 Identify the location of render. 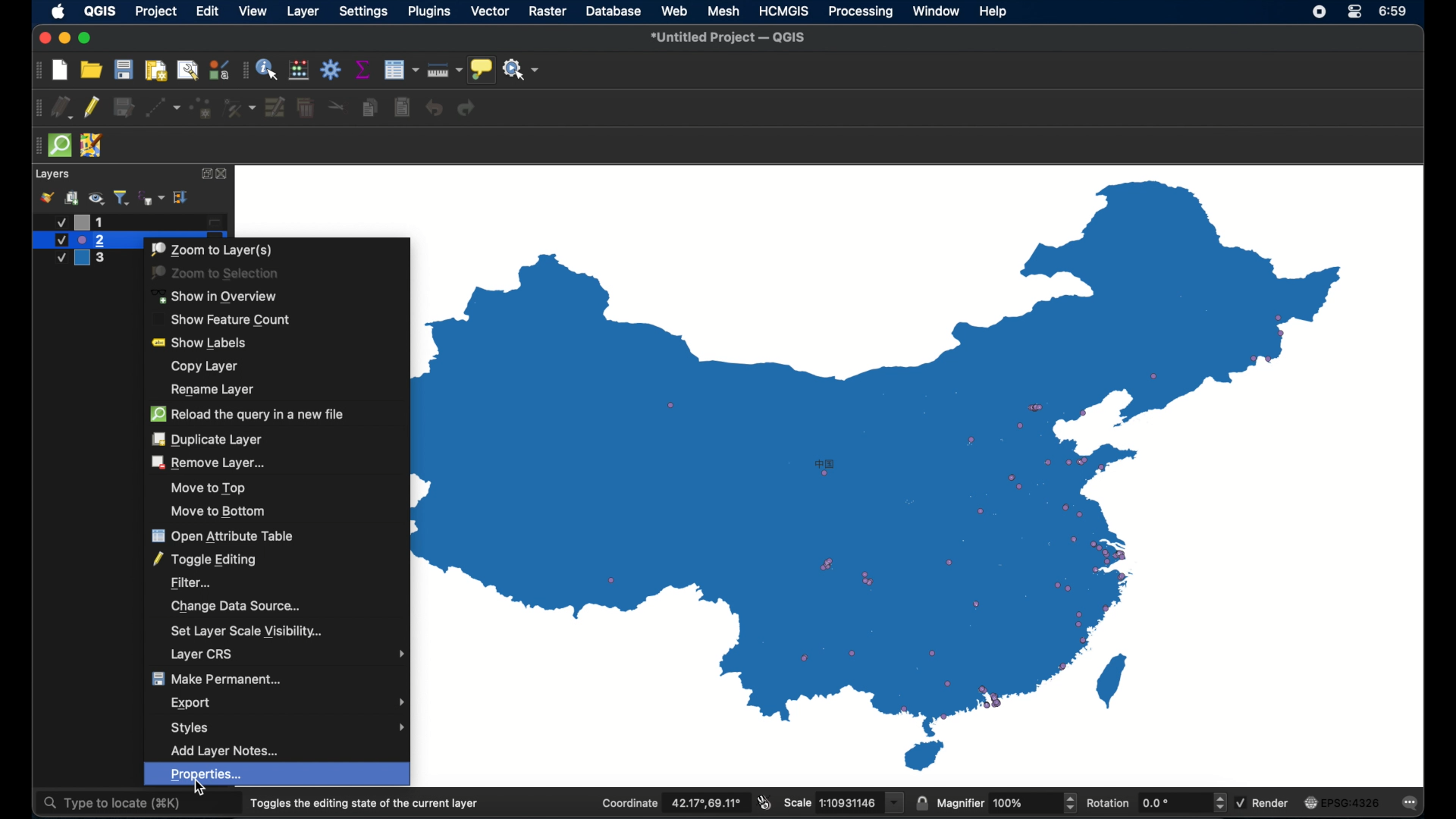
(1262, 801).